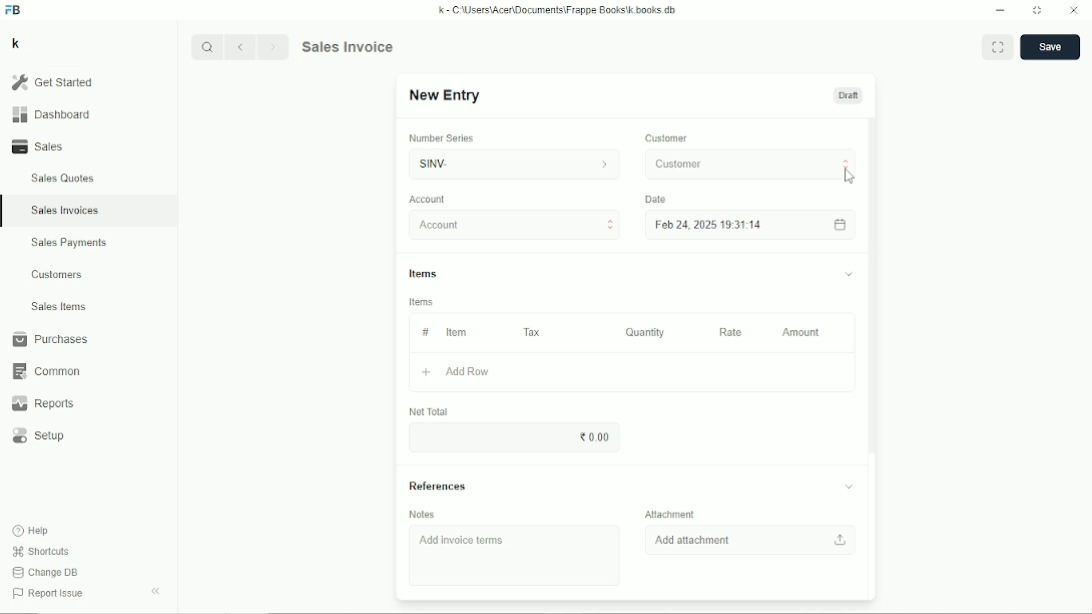 This screenshot has height=614, width=1092. Describe the element at coordinates (455, 373) in the screenshot. I see `Add row` at that location.